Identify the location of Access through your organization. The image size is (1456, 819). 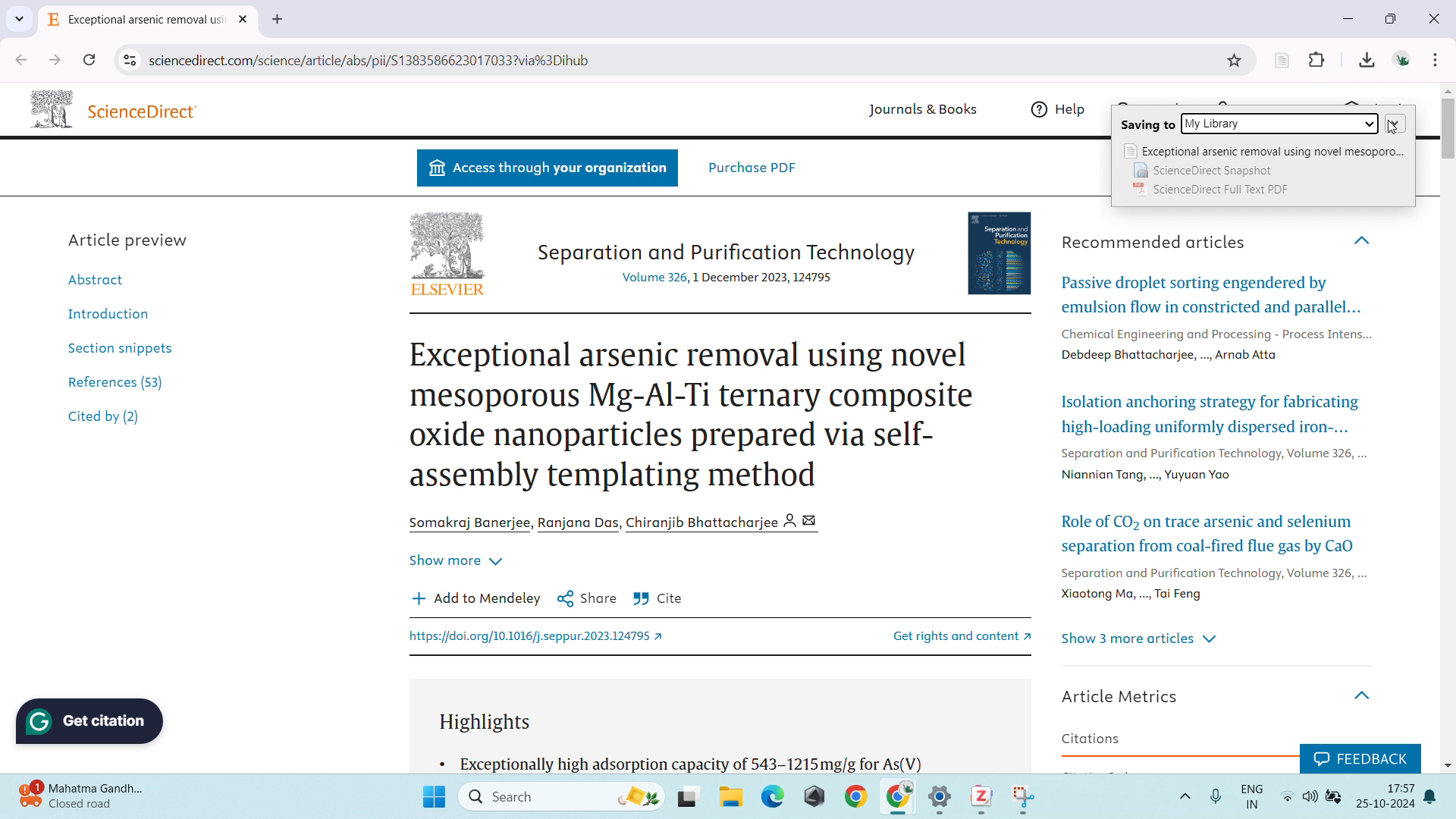
(547, 169).